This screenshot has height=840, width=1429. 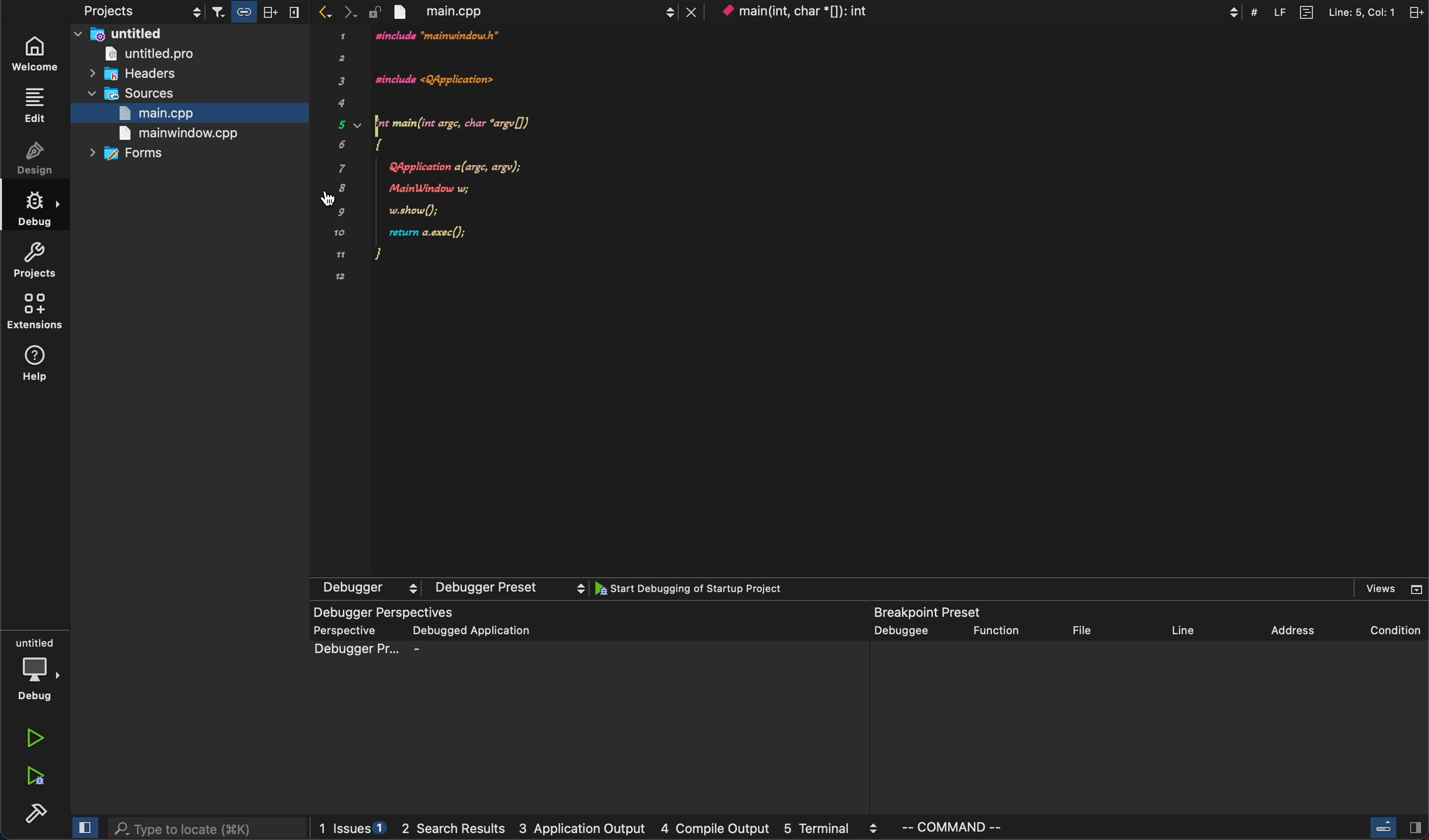 What do you see at coordinates (340, 157) in the screenshot?
I see `12345678by91012` at bounding box center [340, 157].